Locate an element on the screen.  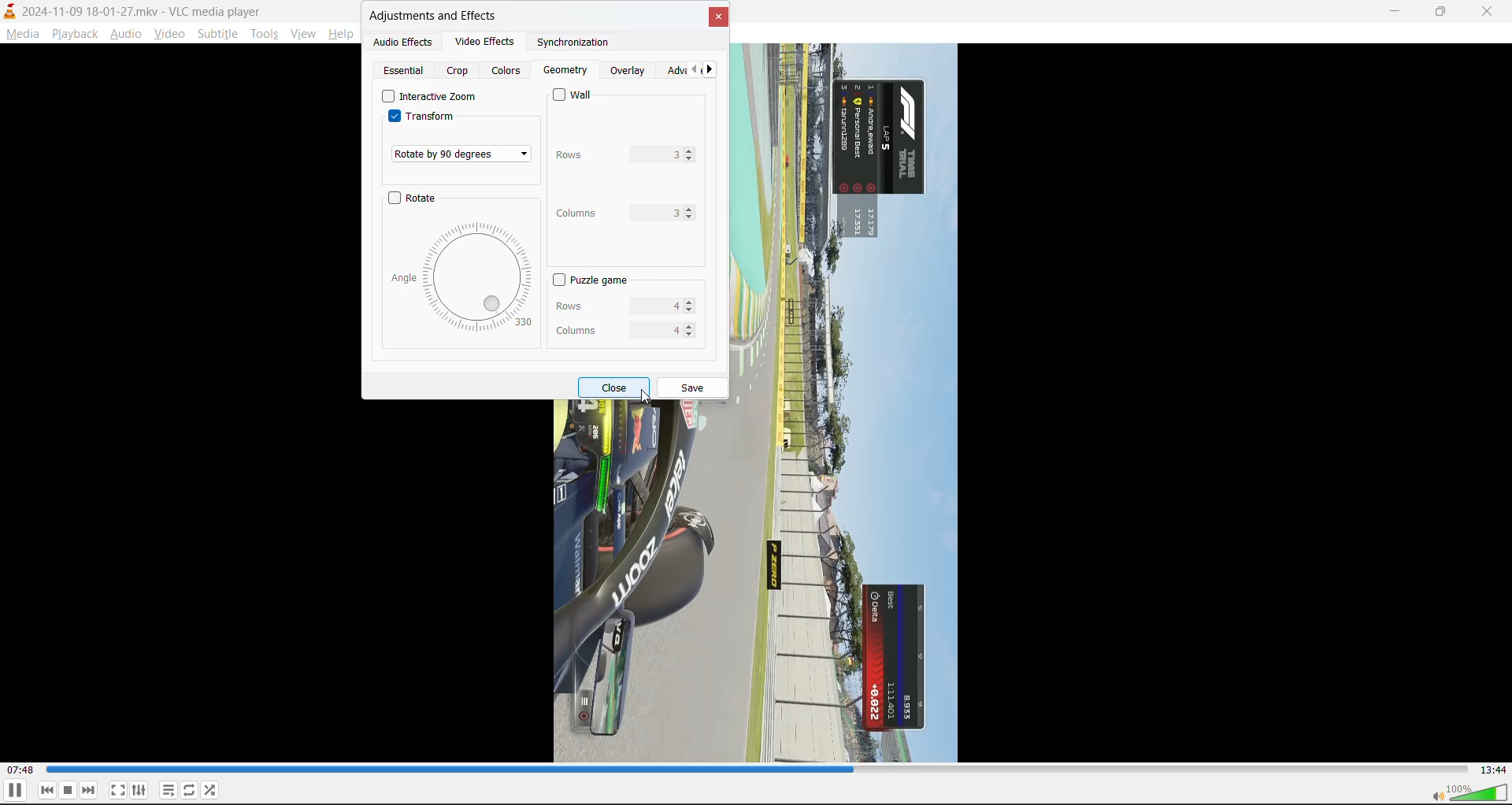
puzzle game is located at coordinates (595, 283).